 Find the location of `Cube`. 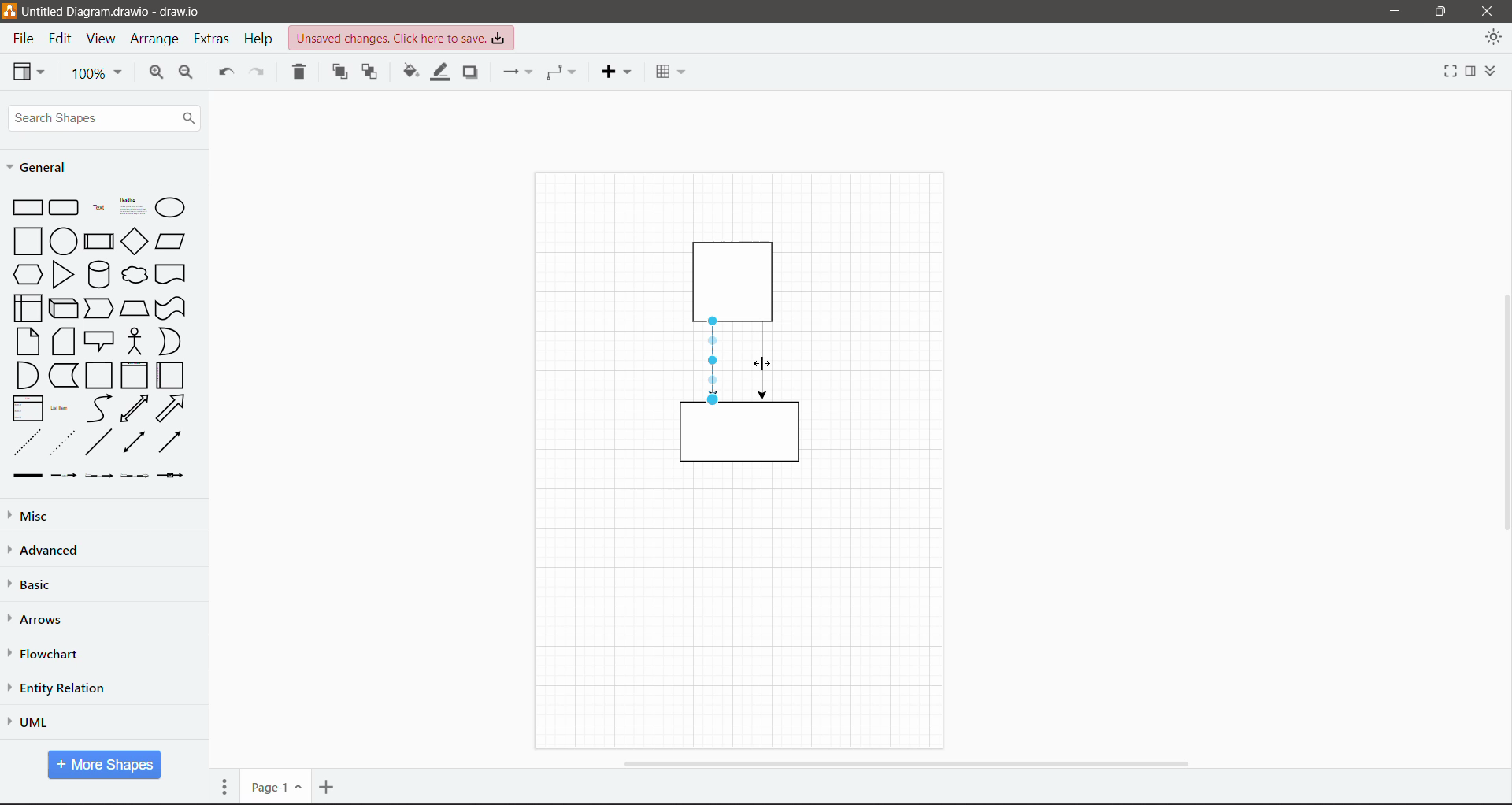

Cube is located at coordinates (62, 307).